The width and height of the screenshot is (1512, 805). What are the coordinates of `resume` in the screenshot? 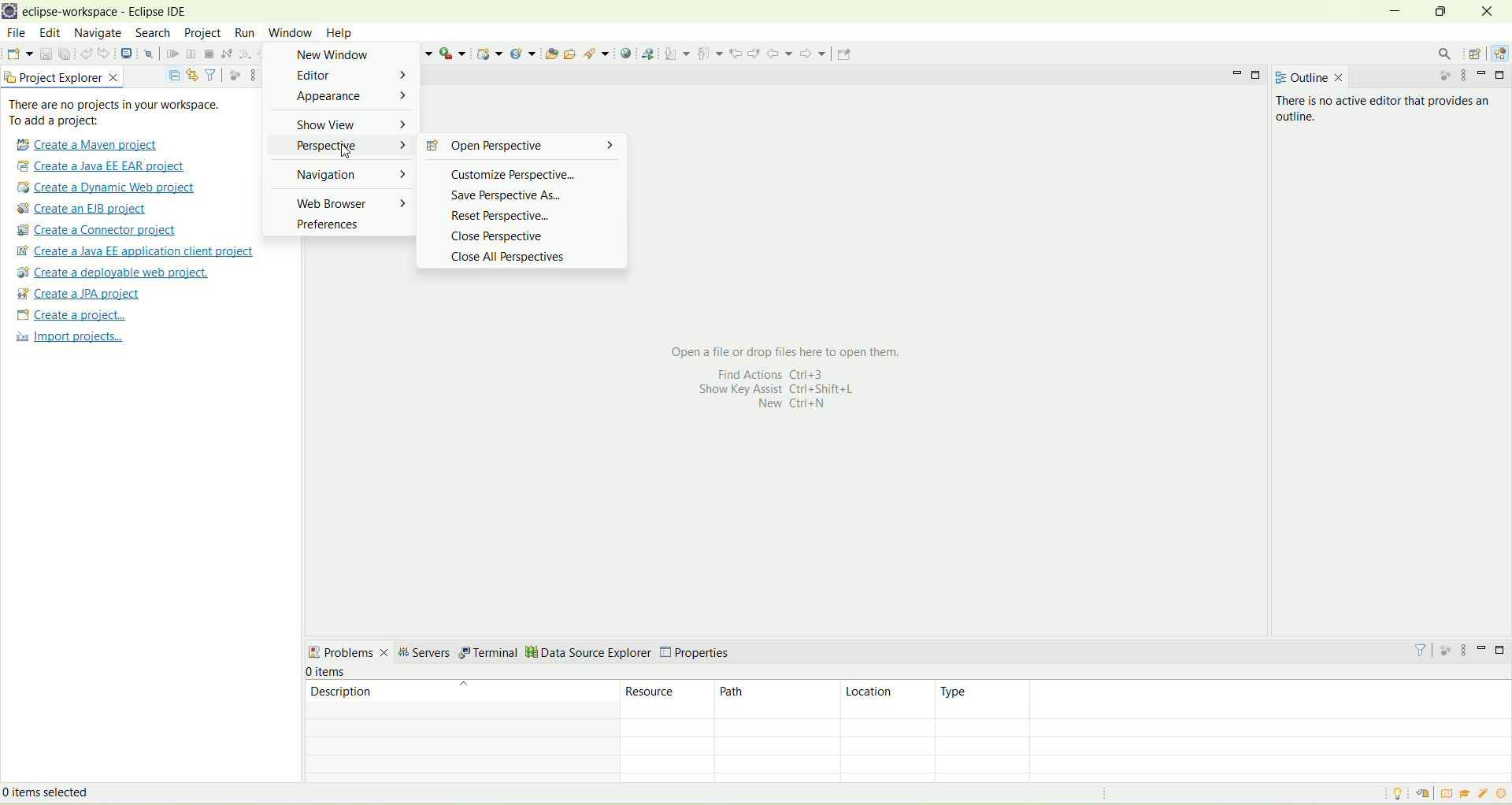 It's located at (172, 56).